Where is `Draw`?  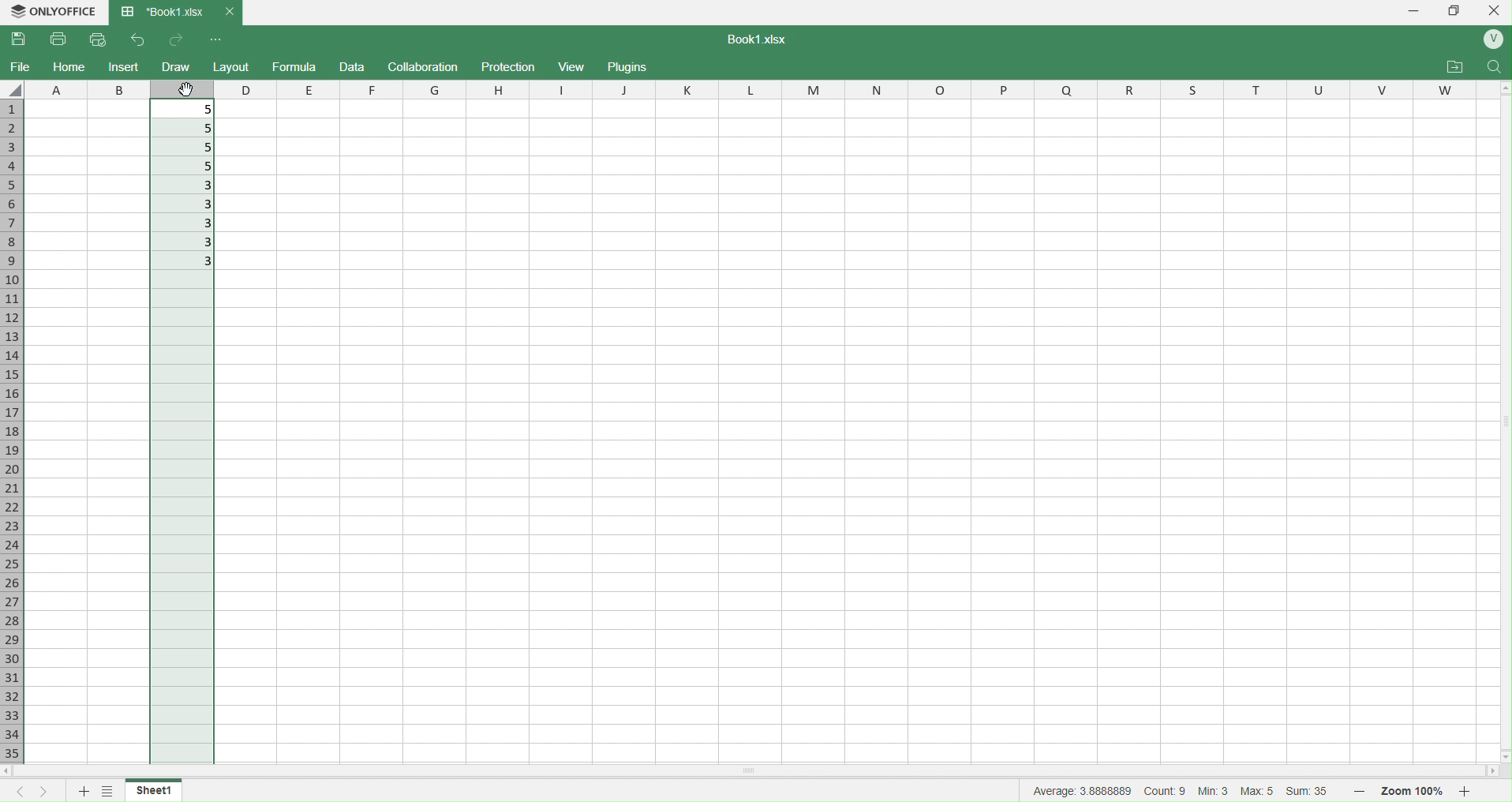
Draw is located at coordinates (175, 66).